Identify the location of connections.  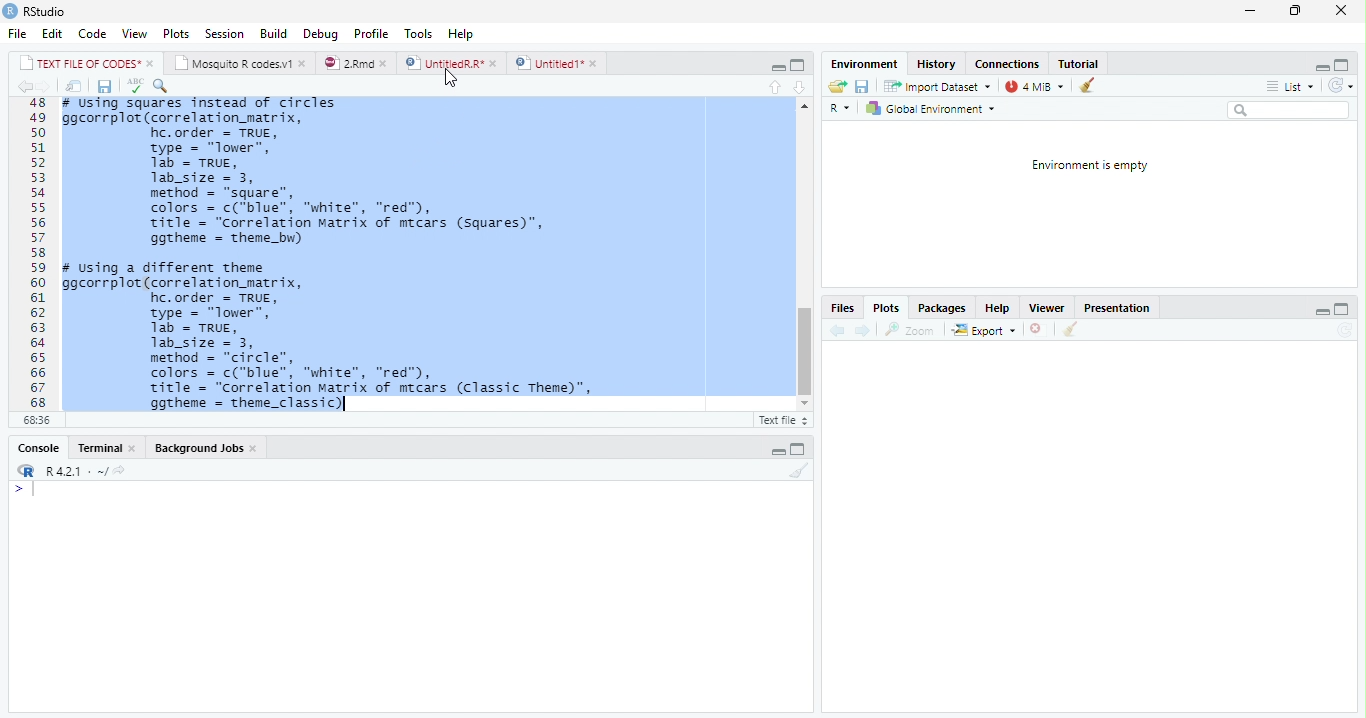
(1009, 64).